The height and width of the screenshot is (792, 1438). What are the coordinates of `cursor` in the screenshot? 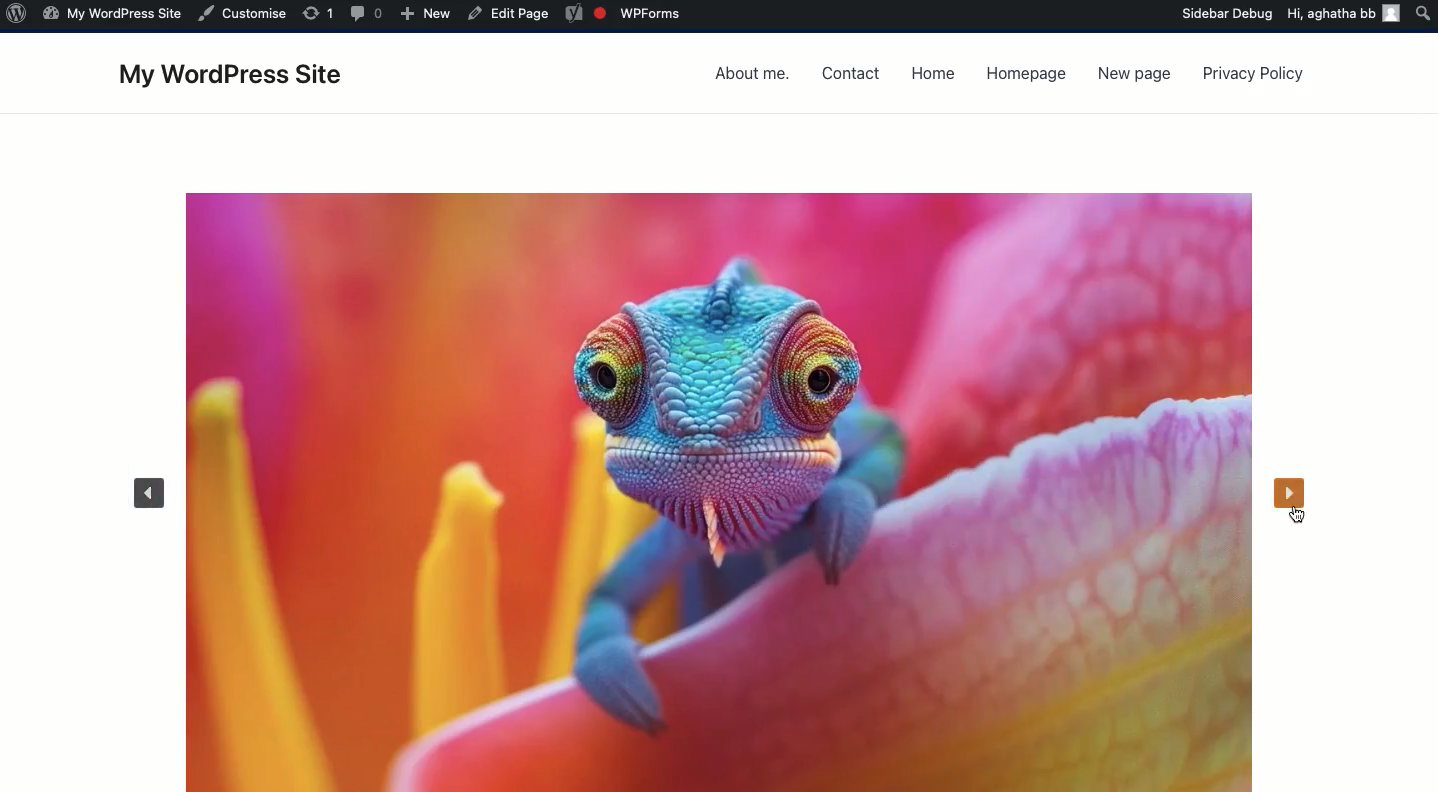 It's located at (1293, 517).